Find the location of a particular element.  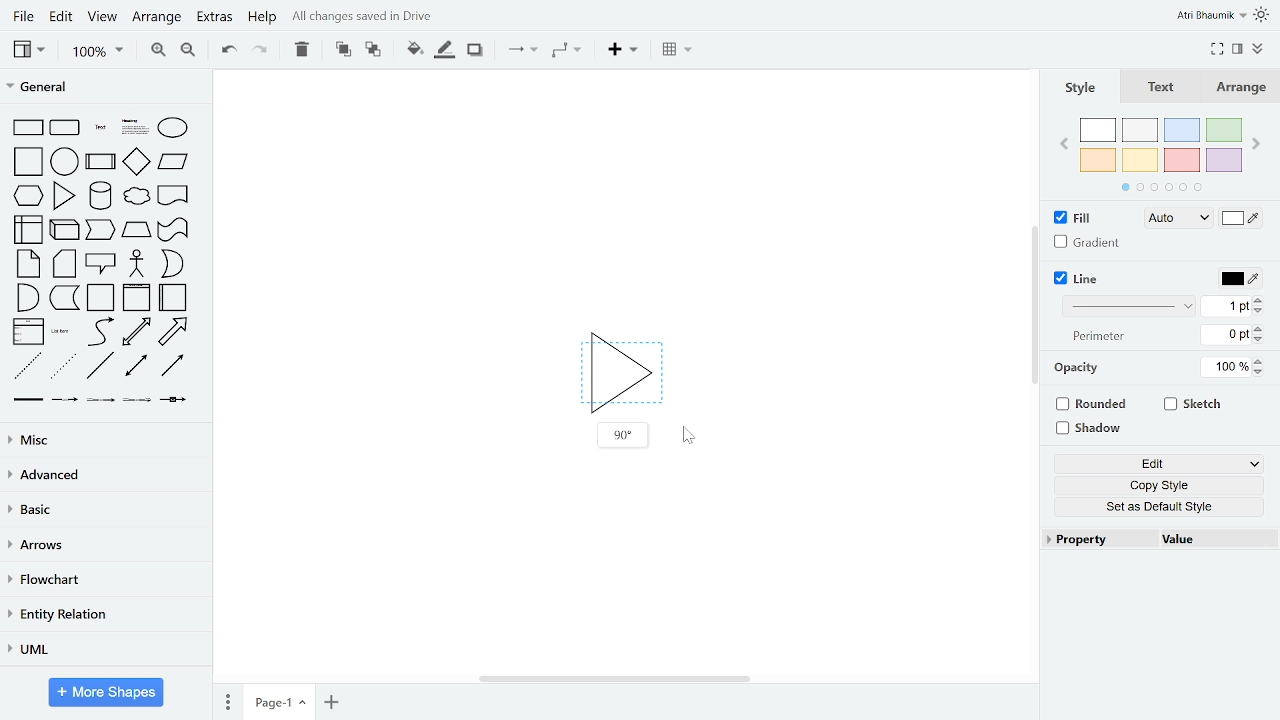

Cursor is located at coordinates (689, 436).